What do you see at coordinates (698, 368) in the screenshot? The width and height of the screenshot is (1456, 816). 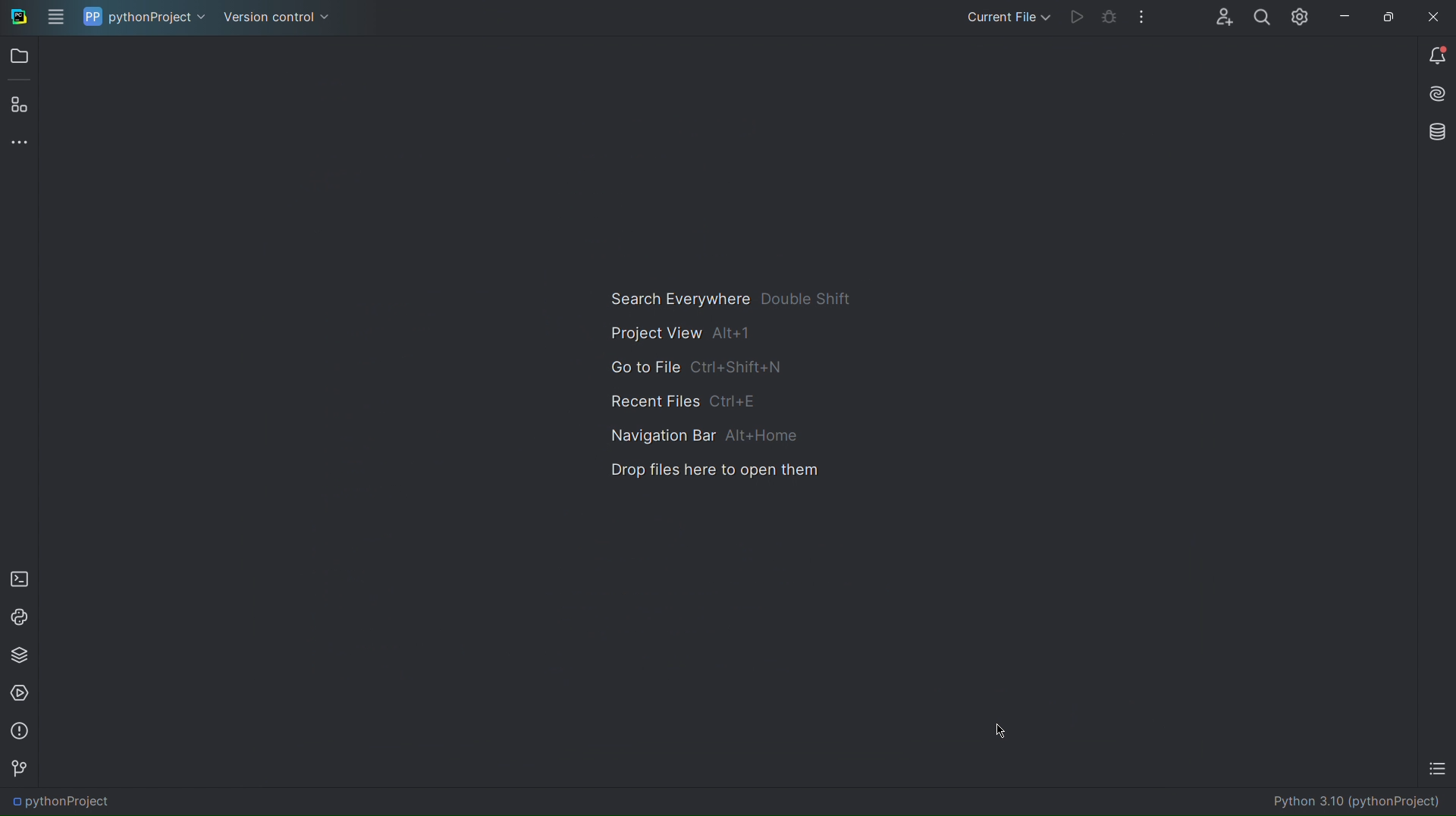 I see `Go to File` at bounding box center [698, 368].